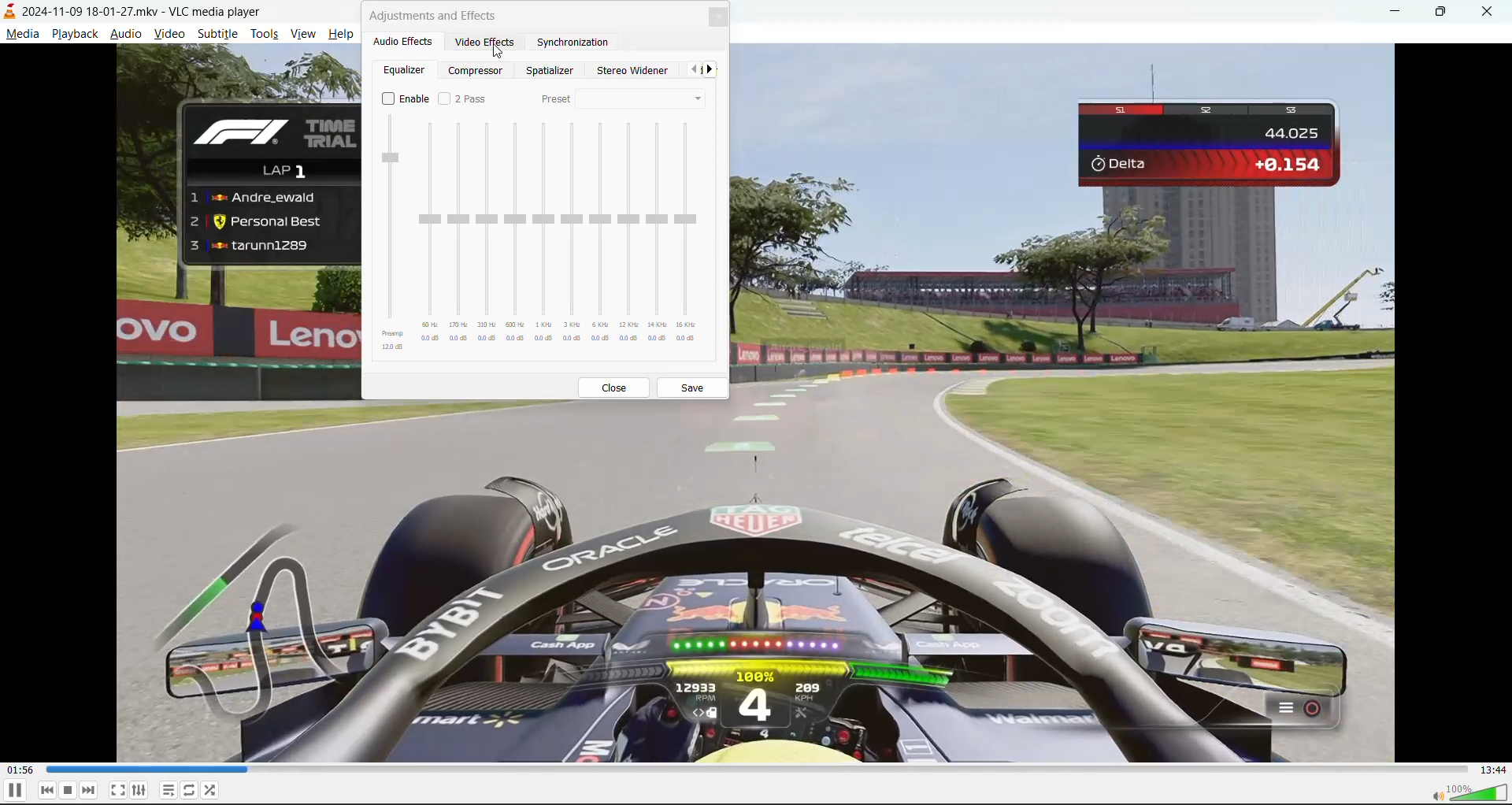  I want to click on close, so click(1489, 12).